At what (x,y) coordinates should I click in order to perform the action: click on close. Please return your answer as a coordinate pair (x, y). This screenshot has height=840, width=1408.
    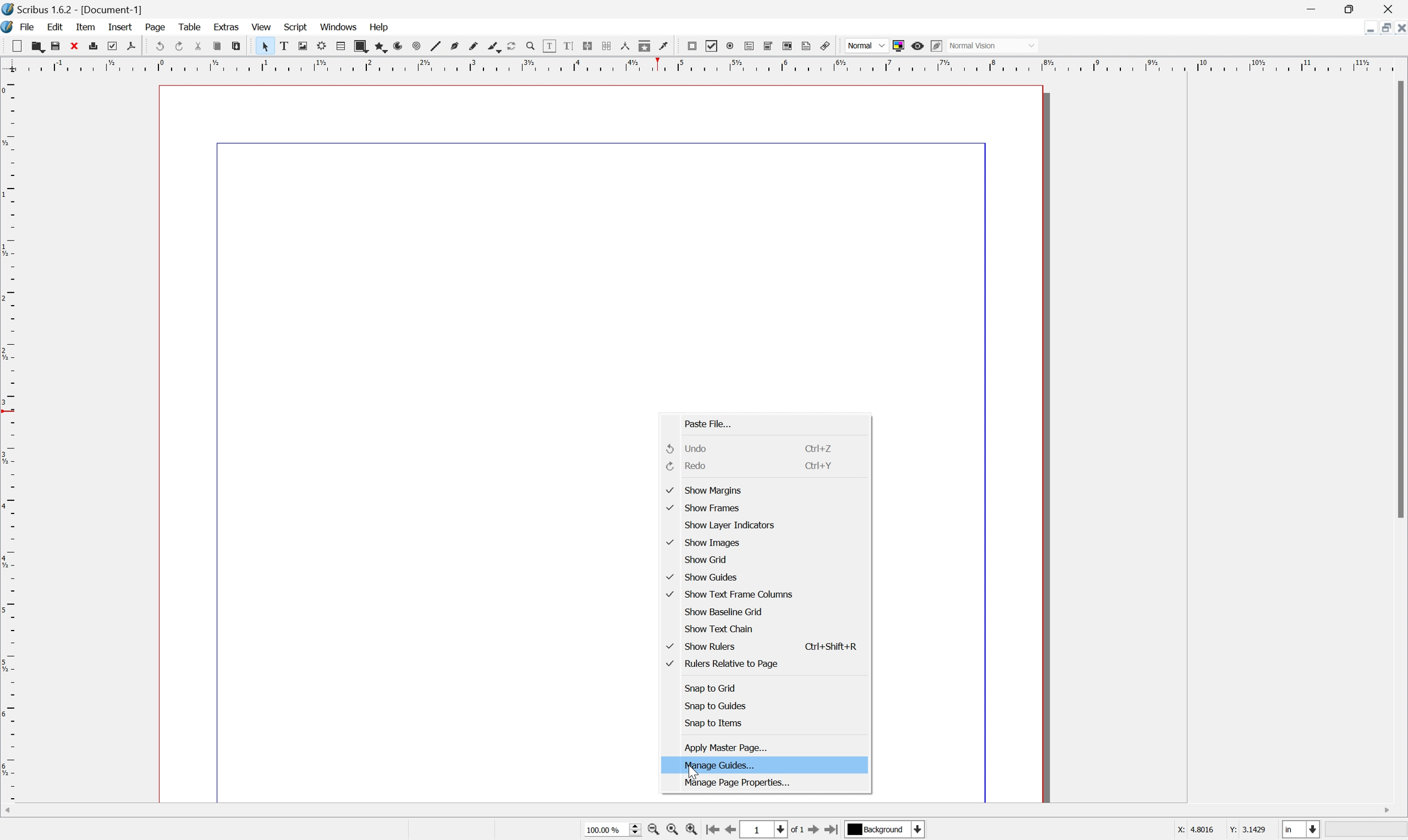
    Looking at the image, I should click on (1399, 28).